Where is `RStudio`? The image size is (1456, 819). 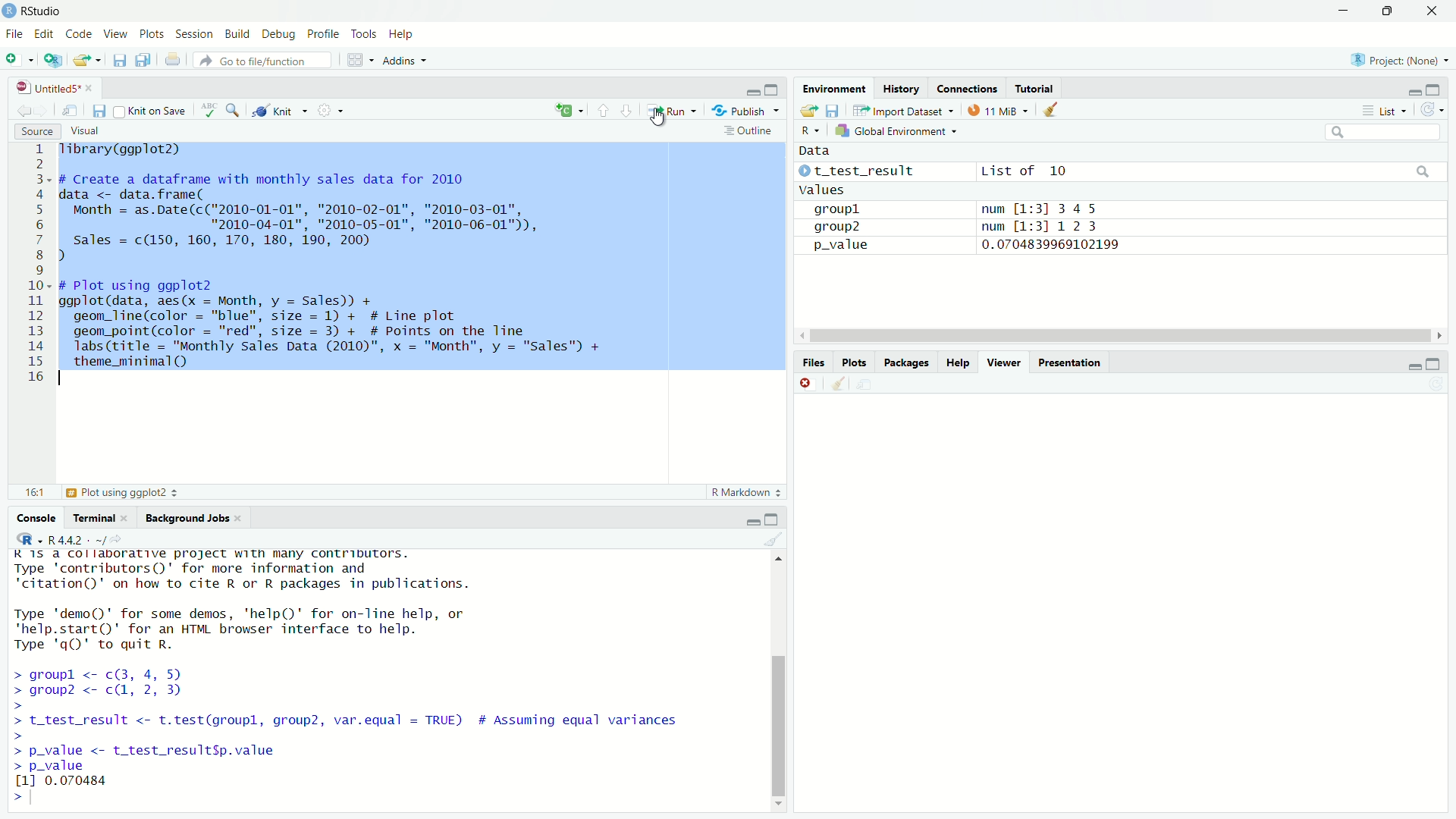
RStudio is located at coordinates (37, 11).